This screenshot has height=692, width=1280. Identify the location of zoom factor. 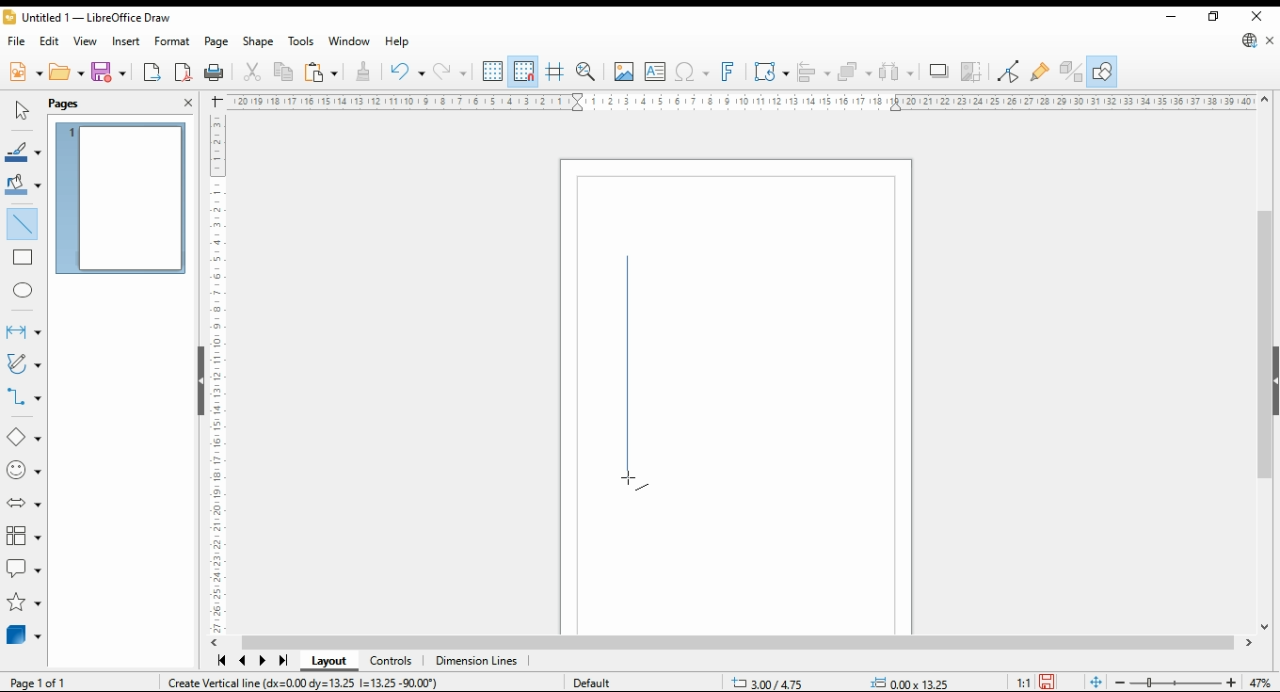
(1262, 680).